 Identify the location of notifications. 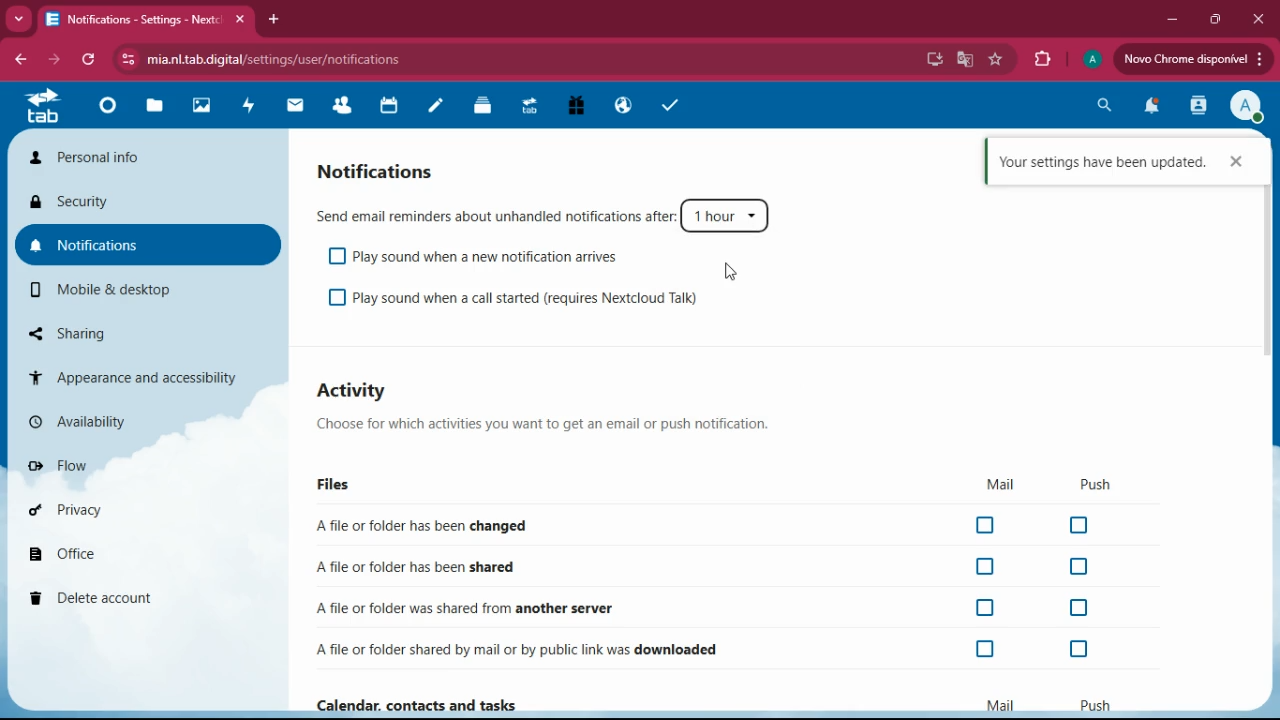
(392, 167).